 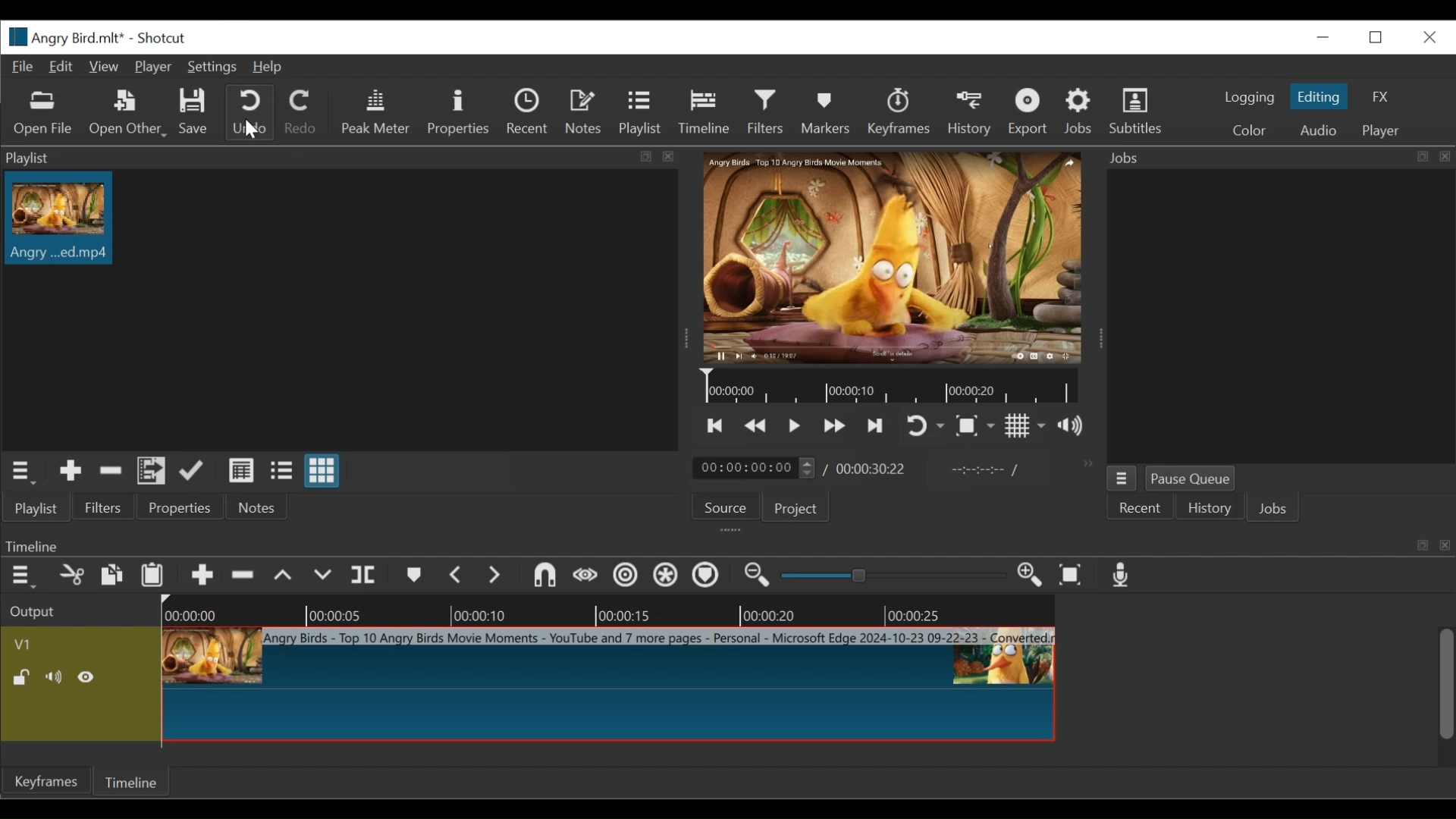 I want to click on History, so click(x=1210, y=510).